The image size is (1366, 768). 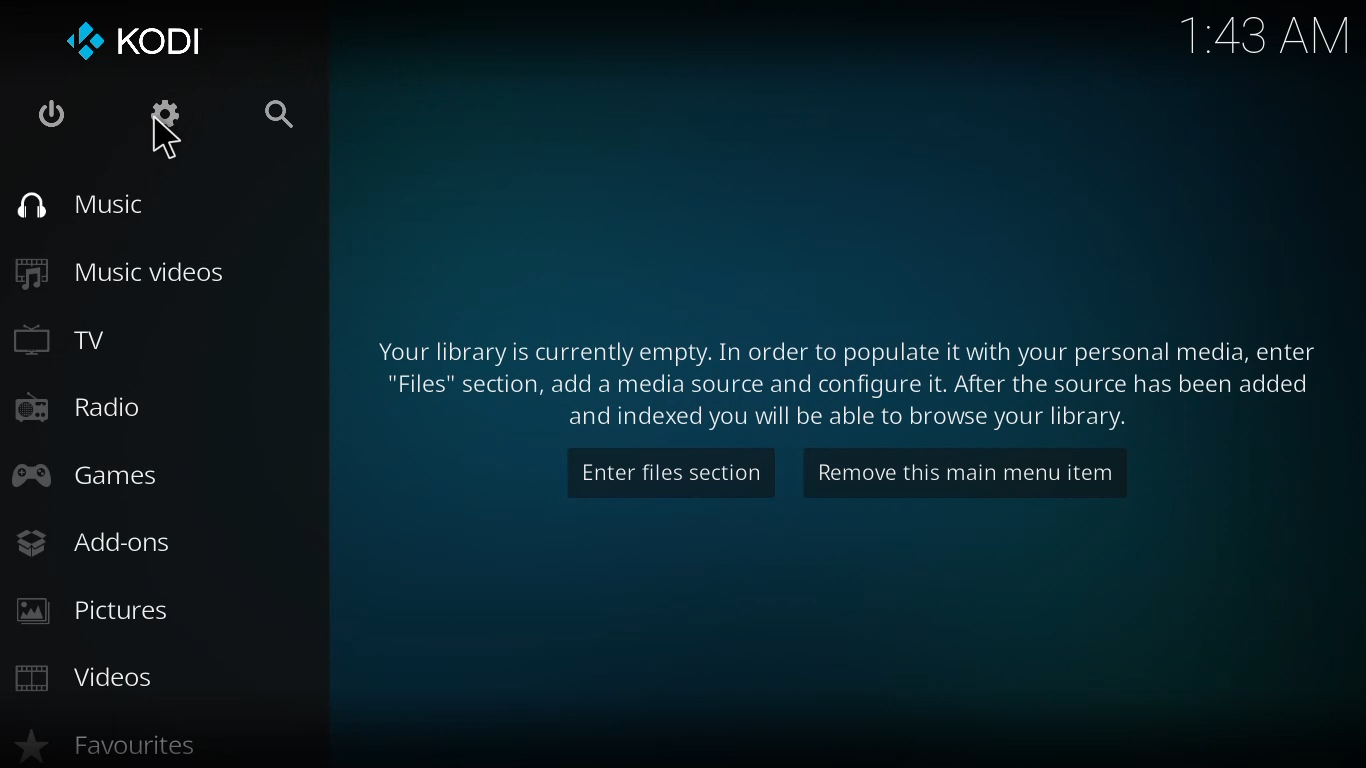 I want to click on settings, so click(x=158, y=116).